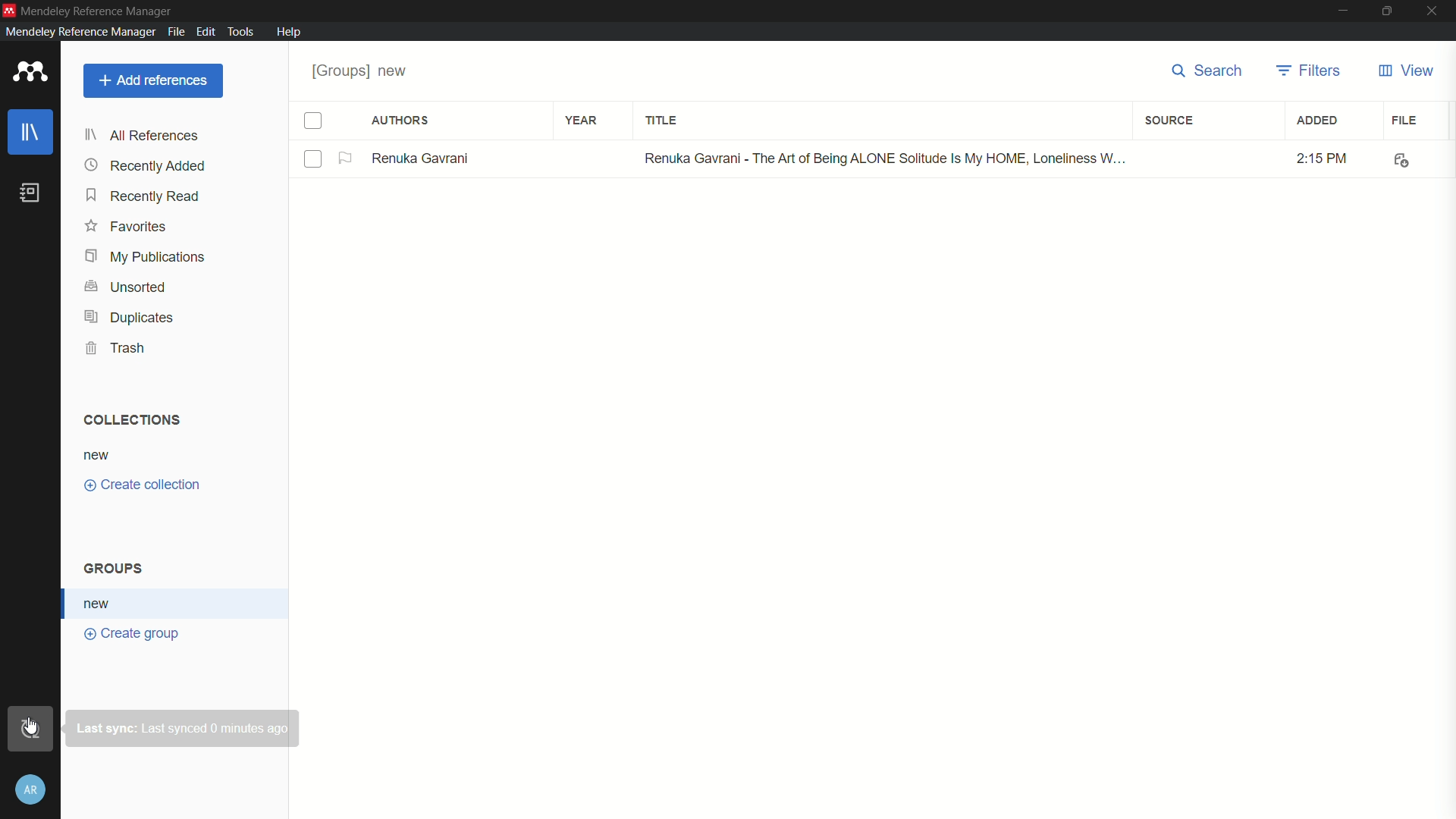 This screenshot has height=819, width=1456. What do you see at coordinates (105, 457) in the screenshot?
I see `new` at bounding box center [105, 457].